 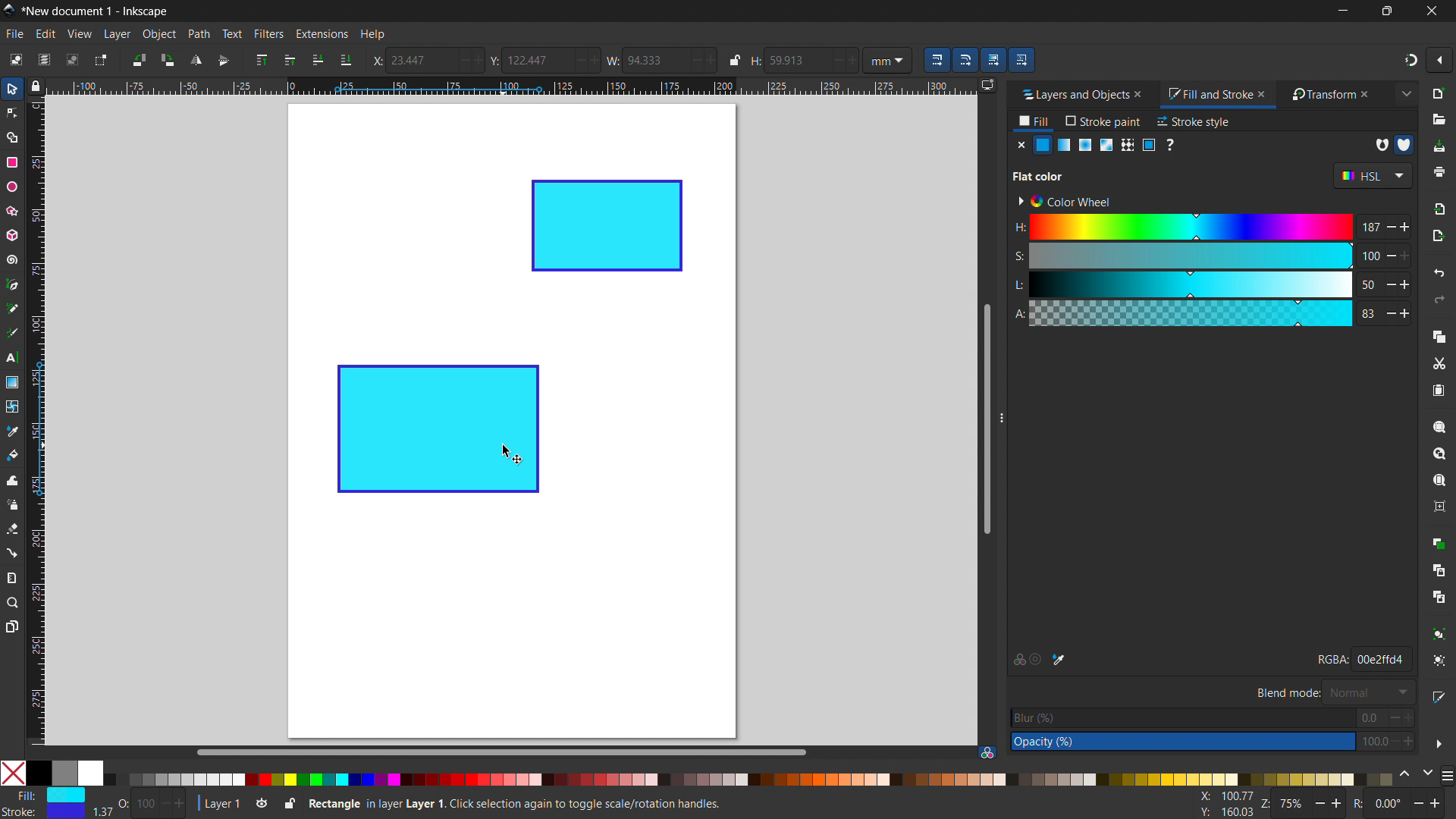 What do you see at coordinates (11, 552) in the screenshot?
I see `connector tool` at bounding box center [11, 552].